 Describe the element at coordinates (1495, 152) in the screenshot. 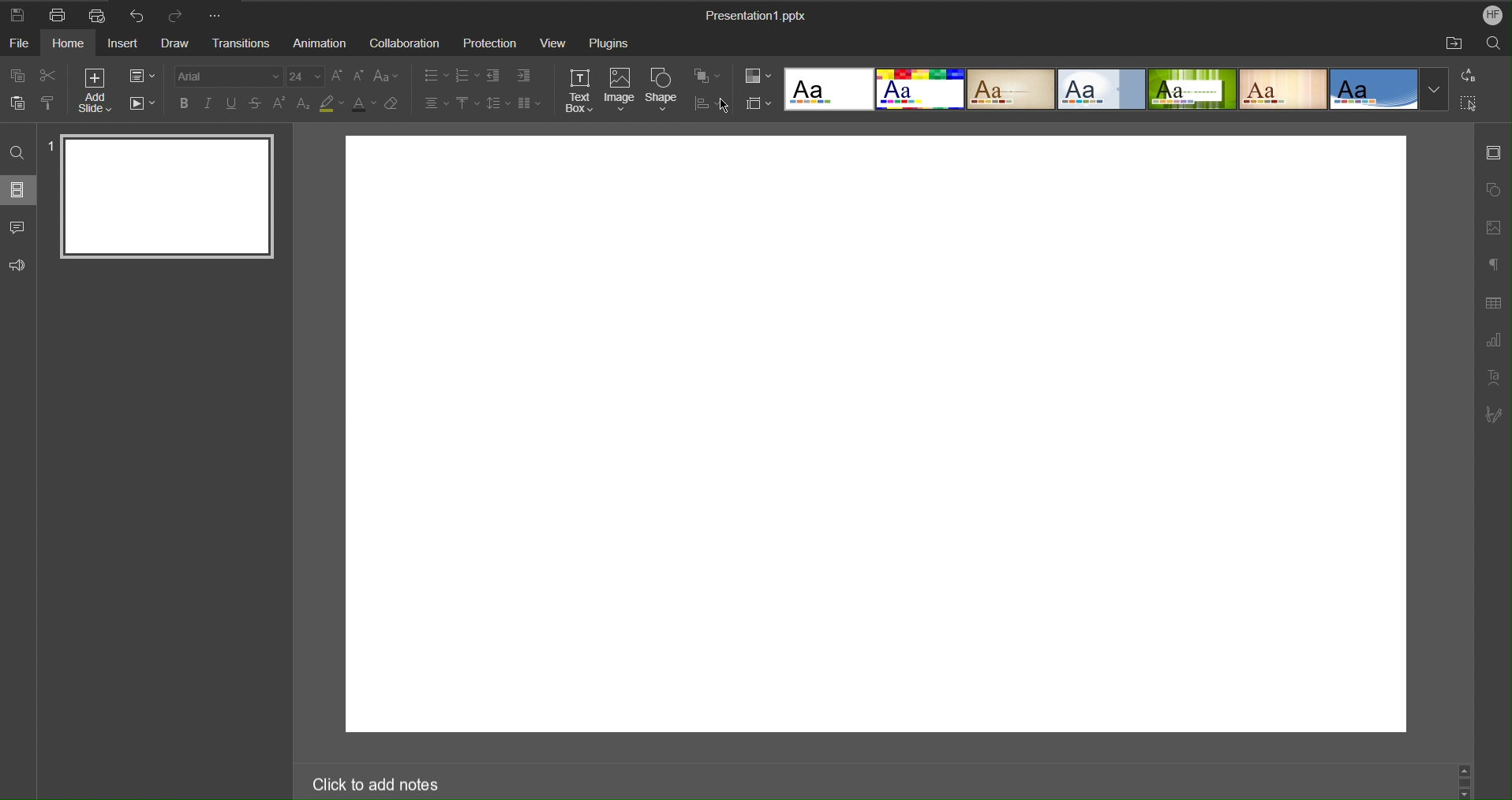

I see `Slide Settings` at that location.